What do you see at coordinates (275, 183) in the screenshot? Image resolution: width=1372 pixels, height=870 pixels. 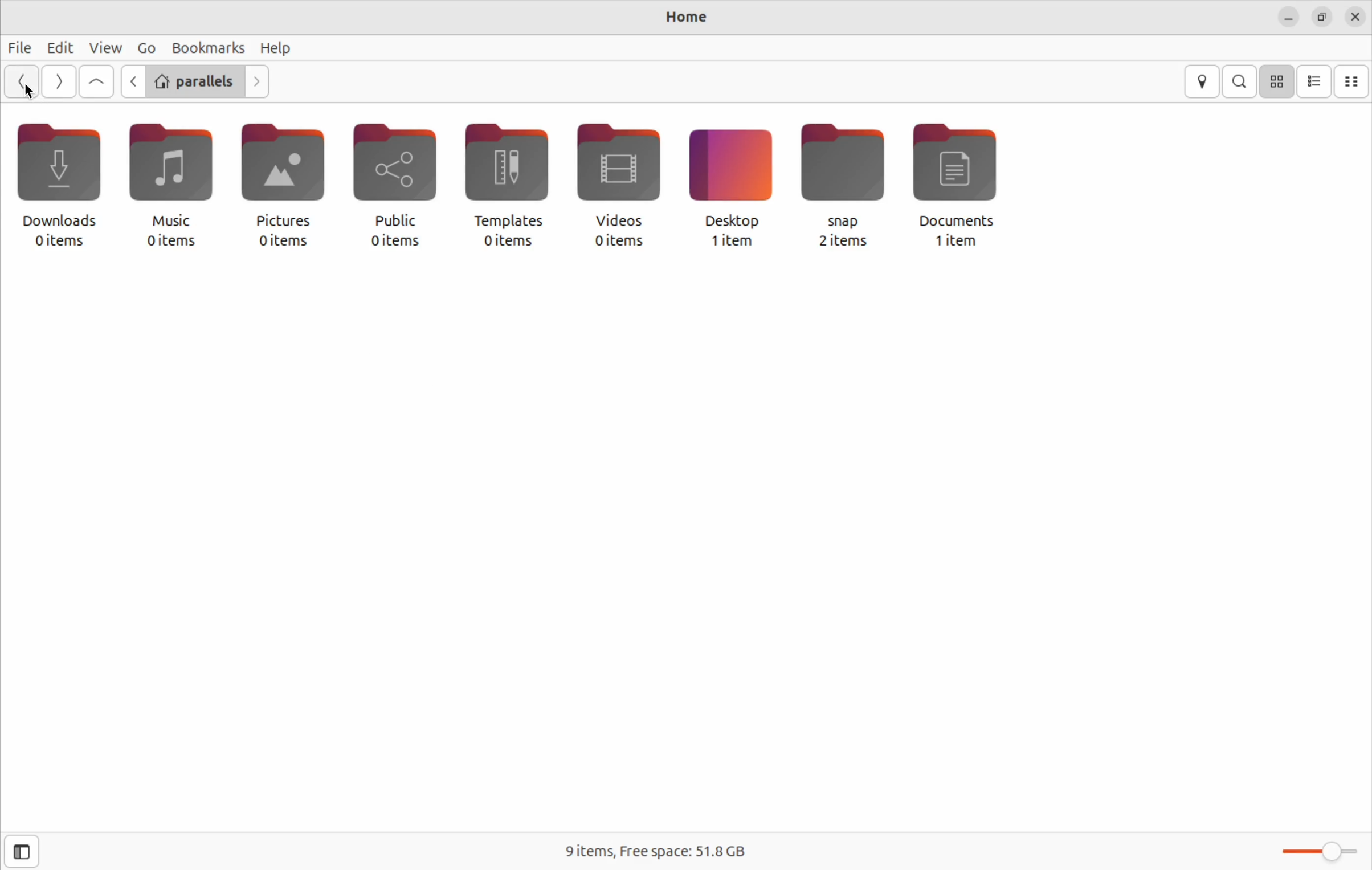 I see `pictures 0 items` at bounding box center [275, 183].